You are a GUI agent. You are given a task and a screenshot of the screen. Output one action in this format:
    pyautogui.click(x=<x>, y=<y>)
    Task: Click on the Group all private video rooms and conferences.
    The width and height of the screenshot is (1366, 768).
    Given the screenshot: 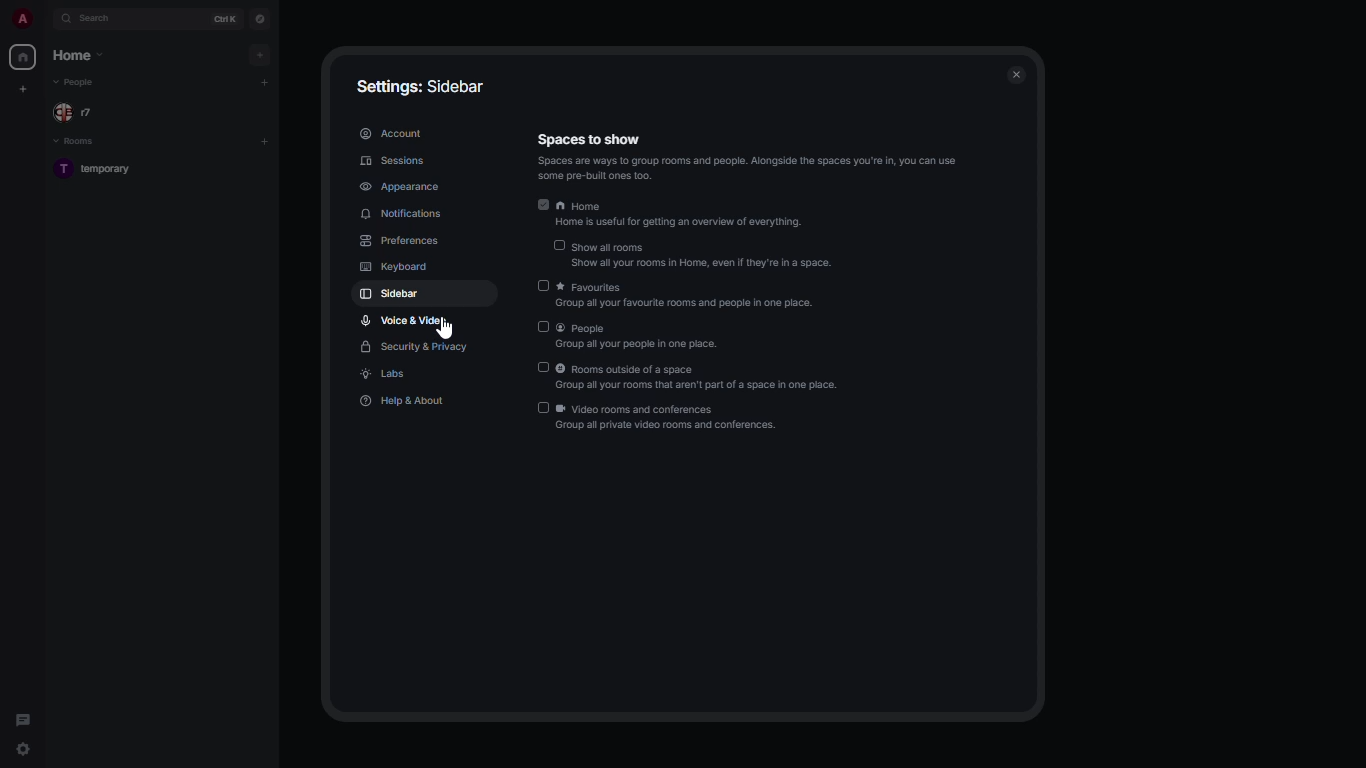 What is the action you would take?
    pyautogui.click(x=660, y=427)
    